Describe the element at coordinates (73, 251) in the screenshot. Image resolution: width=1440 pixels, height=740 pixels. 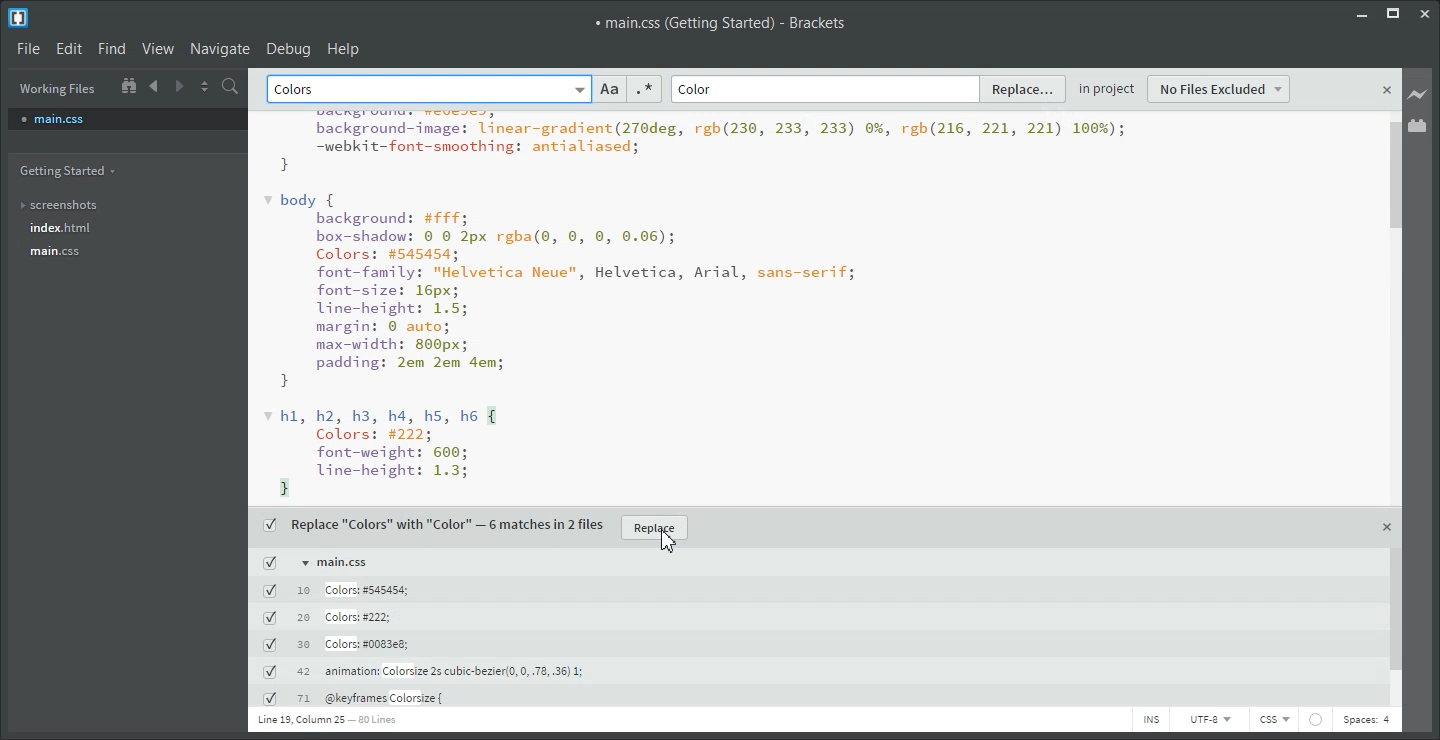
I see `main.css` at that location.